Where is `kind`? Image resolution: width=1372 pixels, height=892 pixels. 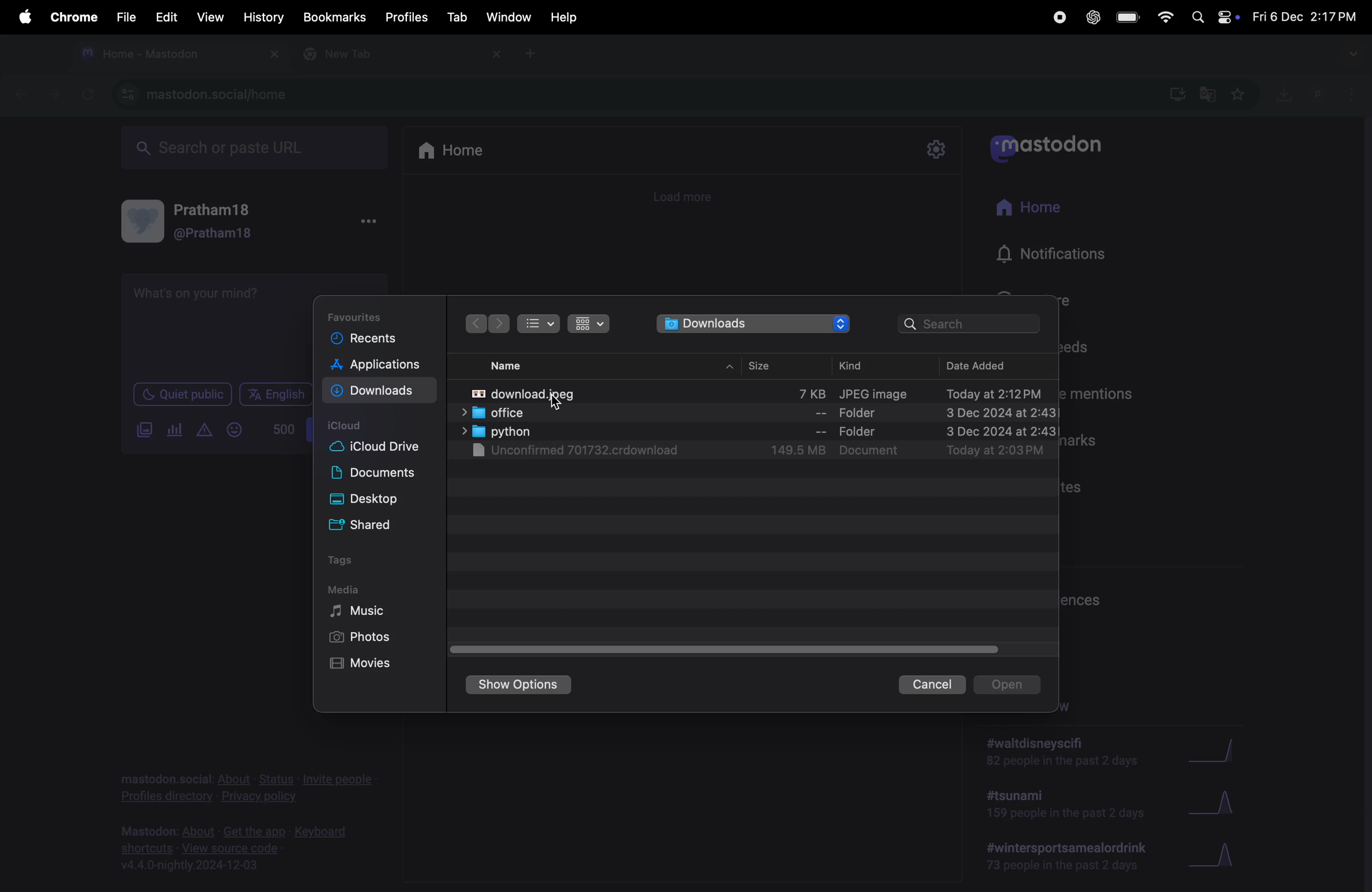
kind is located at coordinates (854, 362).